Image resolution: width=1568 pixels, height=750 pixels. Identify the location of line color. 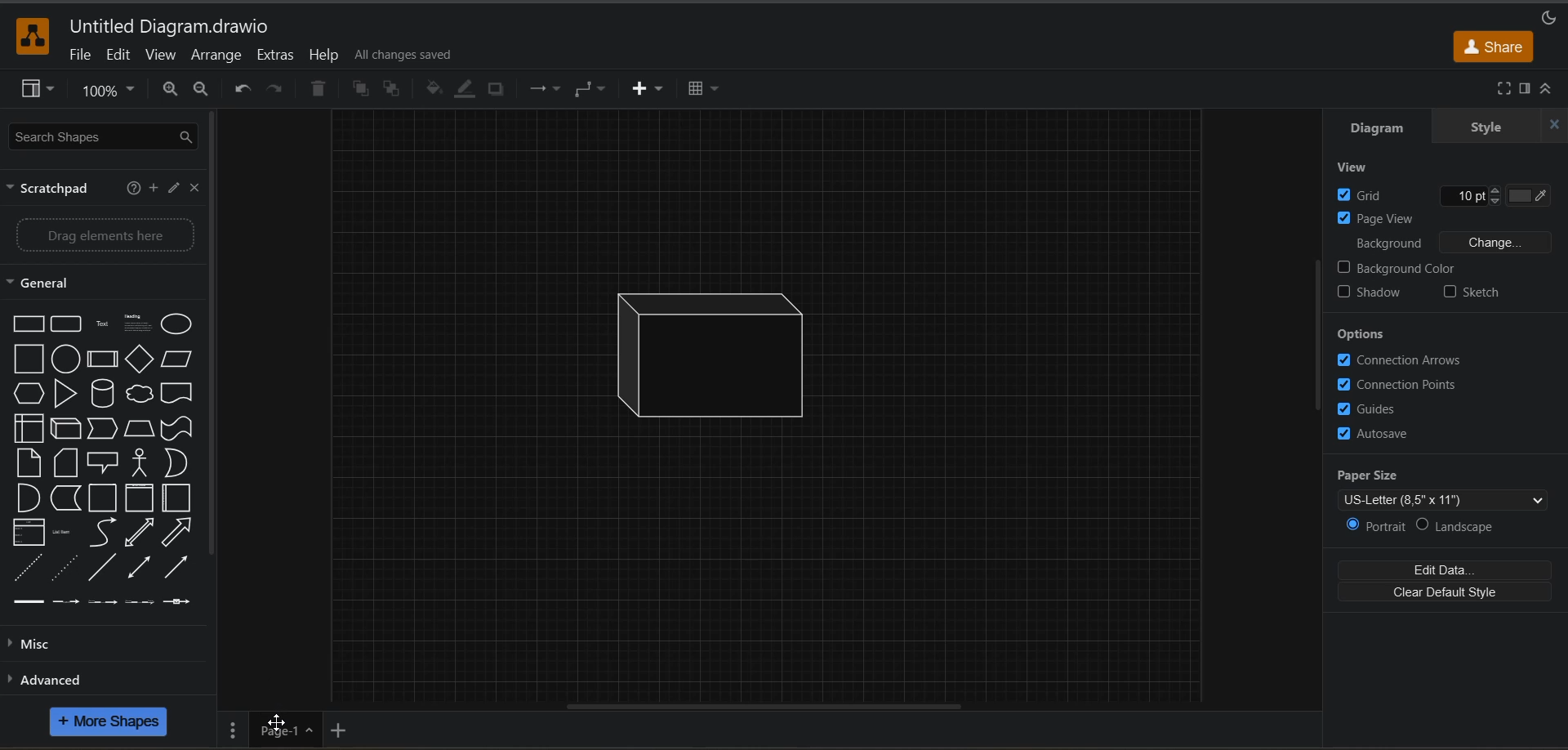
(464, 90).